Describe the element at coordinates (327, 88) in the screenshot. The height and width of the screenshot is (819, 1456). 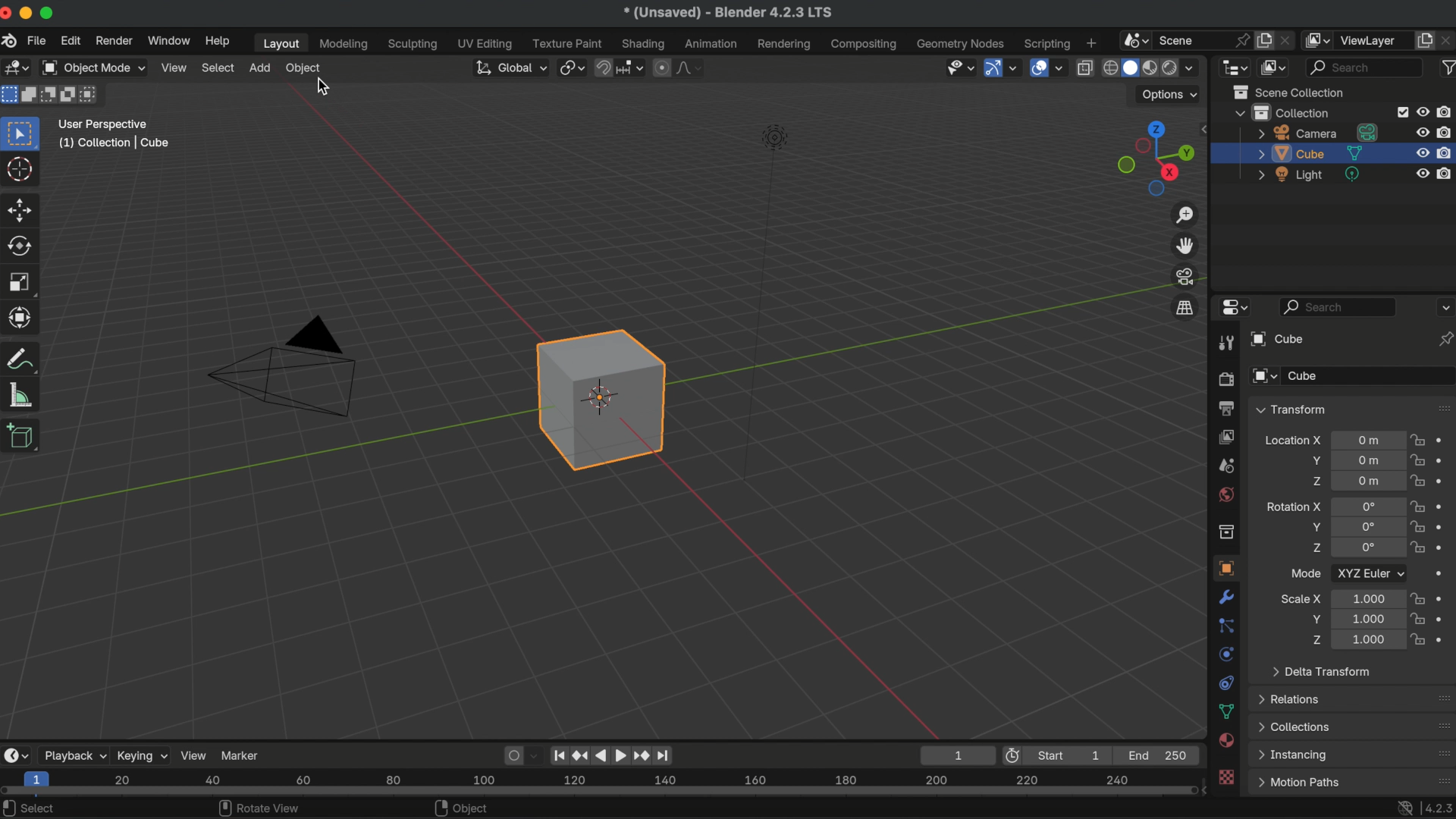
I see `cursor` at that location.